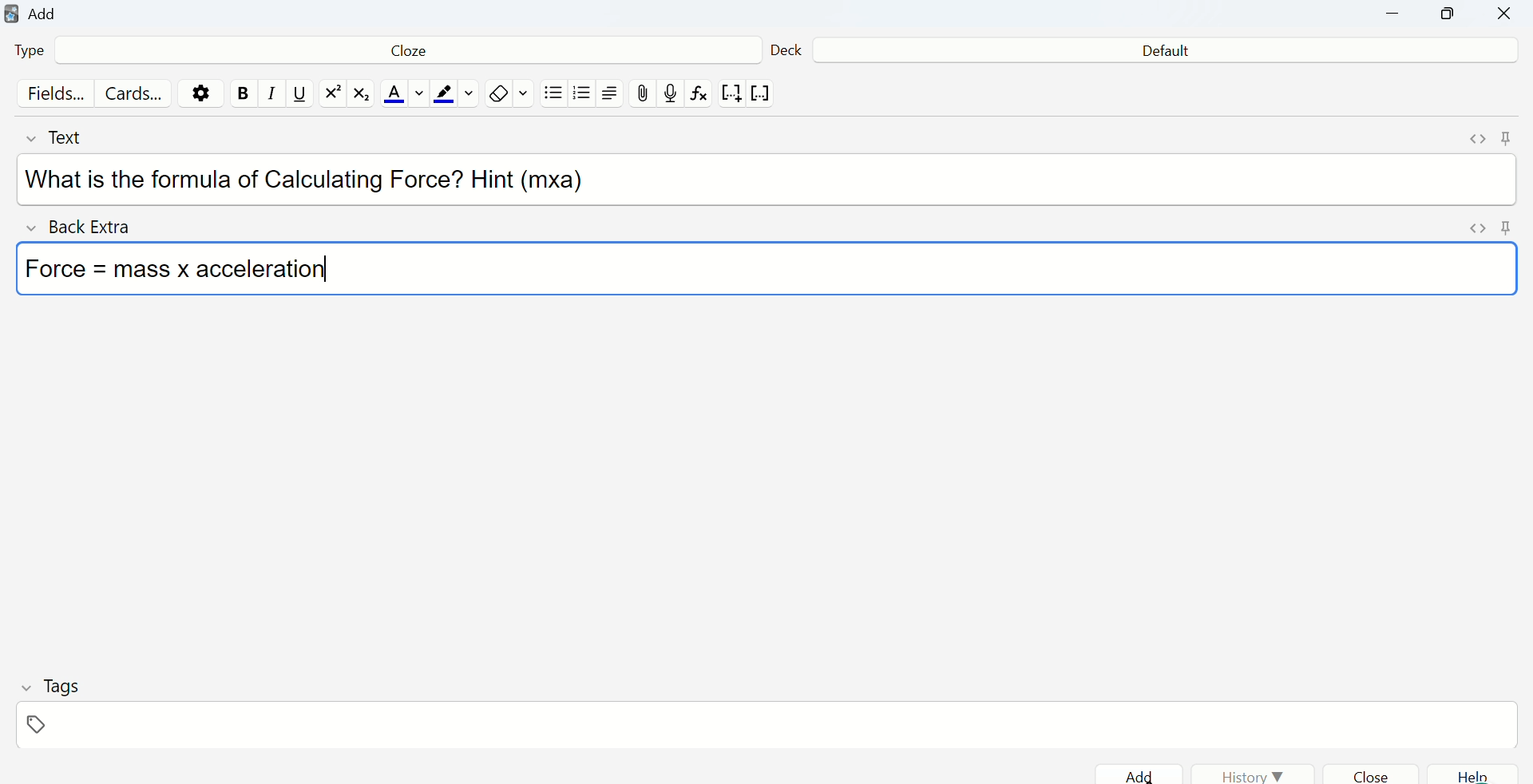 Image resolution: width=1533 pixels, height=784 pixels. I want to click on Pin, so click(1505, 228).